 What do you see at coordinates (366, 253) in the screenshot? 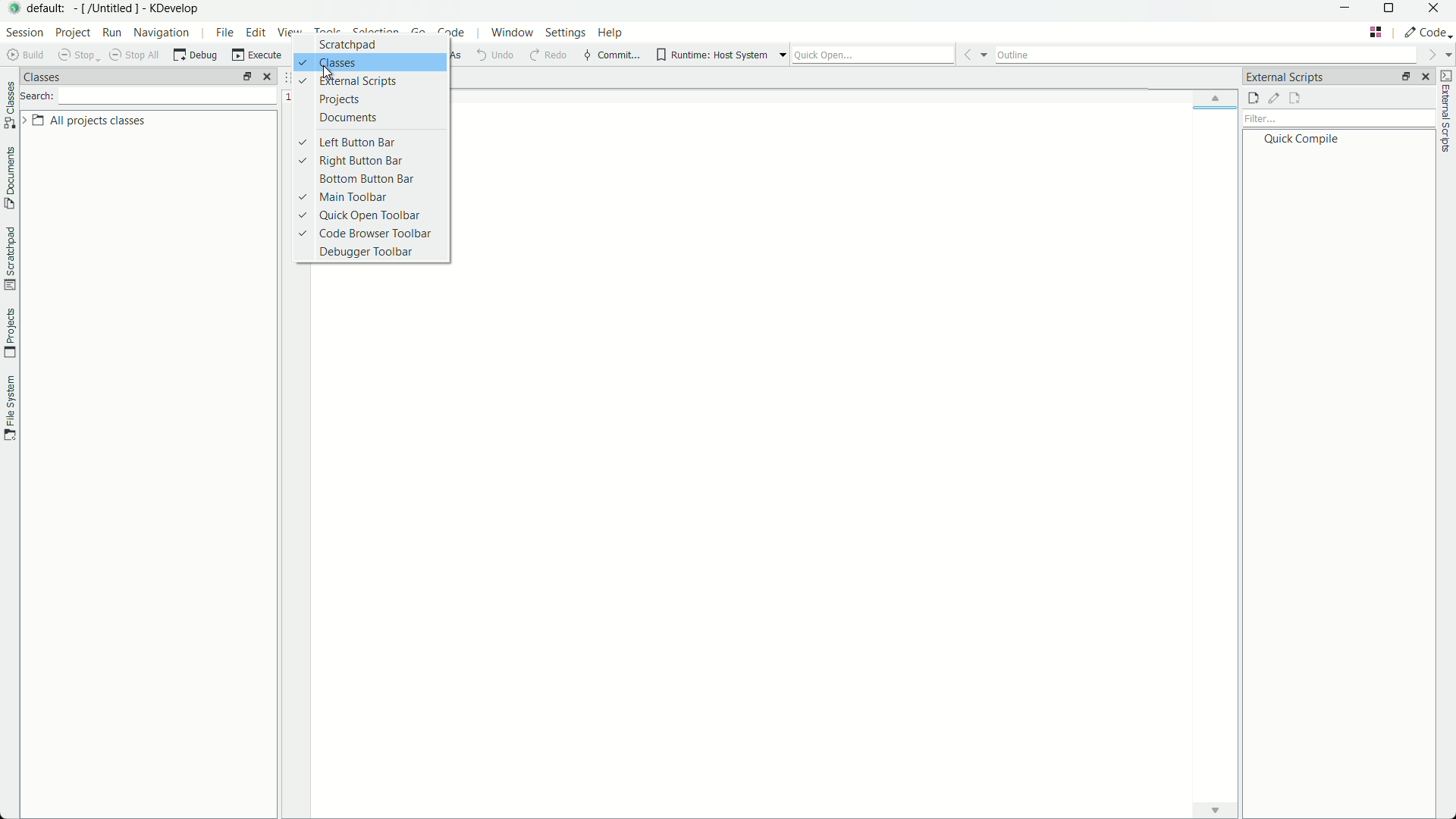
I see `debugger toolbar` at bounding box center [366, 253].